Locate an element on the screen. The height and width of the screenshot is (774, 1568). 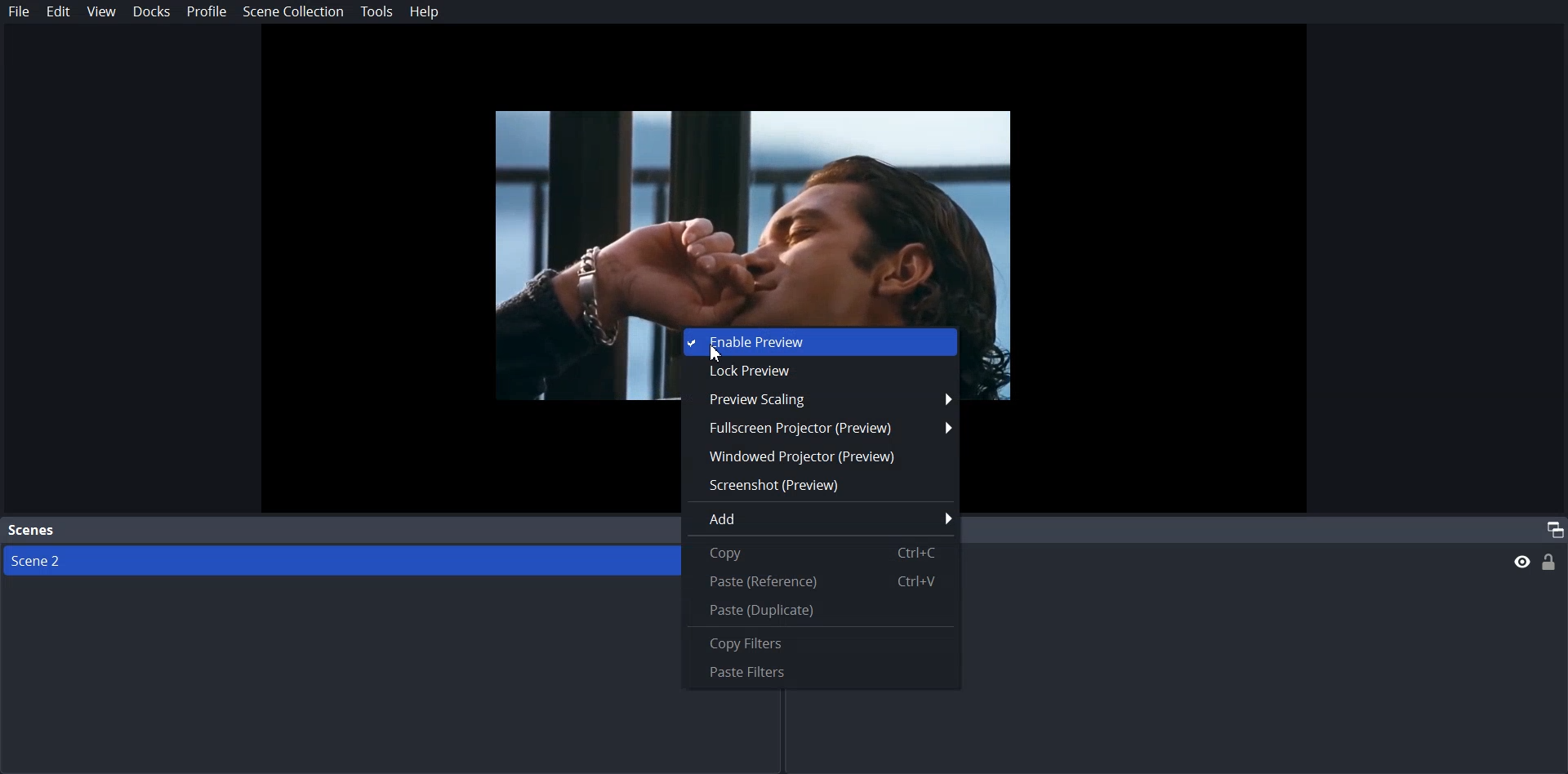
Profile is located at coordinates (206, 11).